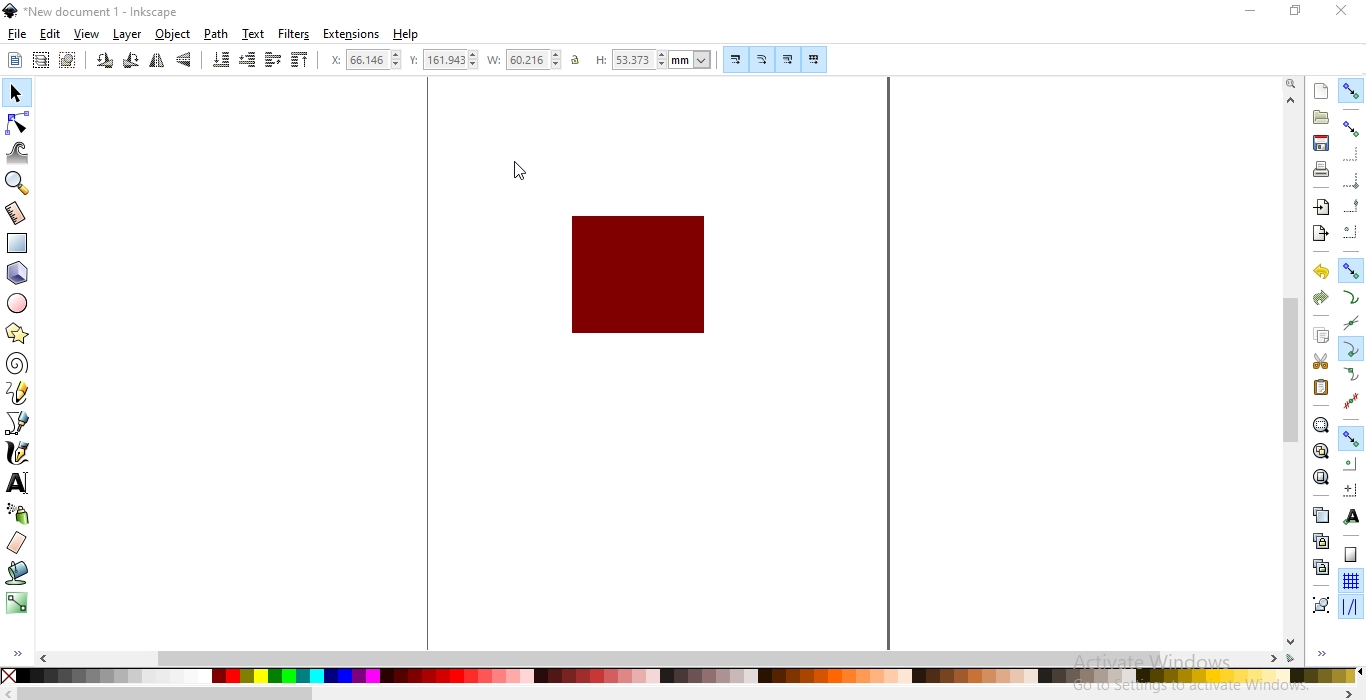 This screenshot has width=1366, height=700. Describe the element at coordinates (1321, 207) in the screenshot. I see `import a bitmap` at that location.